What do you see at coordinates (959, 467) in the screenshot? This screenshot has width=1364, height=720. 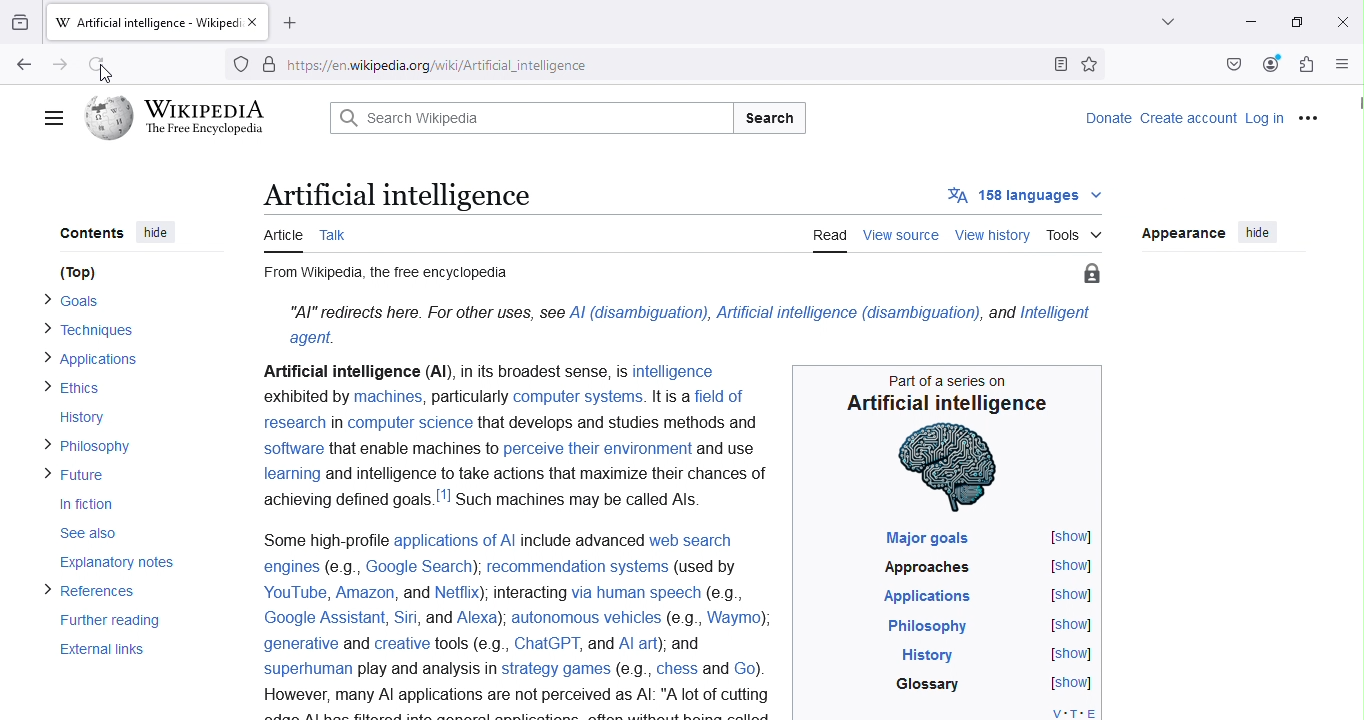 I see `human brain` at bounding box center [959, 467].